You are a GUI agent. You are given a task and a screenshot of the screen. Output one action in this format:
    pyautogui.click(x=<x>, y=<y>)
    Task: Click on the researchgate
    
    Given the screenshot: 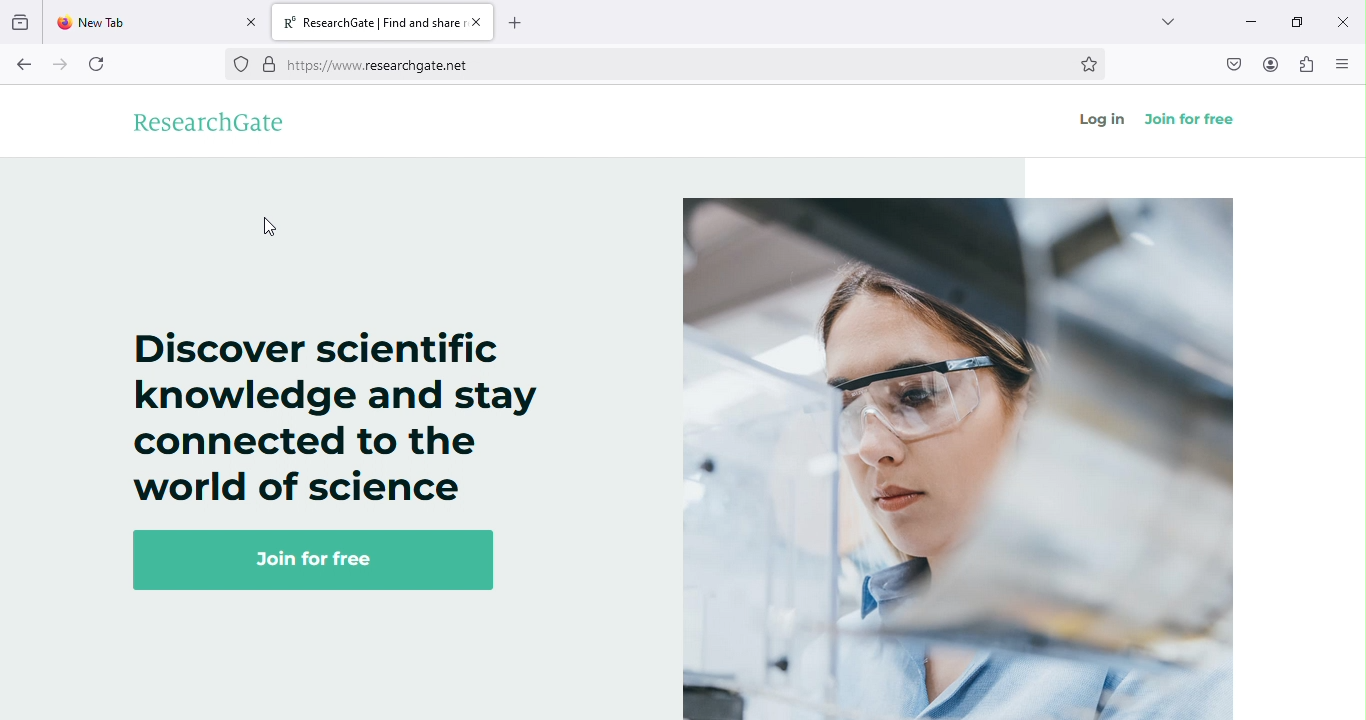 What is the action you would take?
    pyautogui.click(x=216, y=122)
    